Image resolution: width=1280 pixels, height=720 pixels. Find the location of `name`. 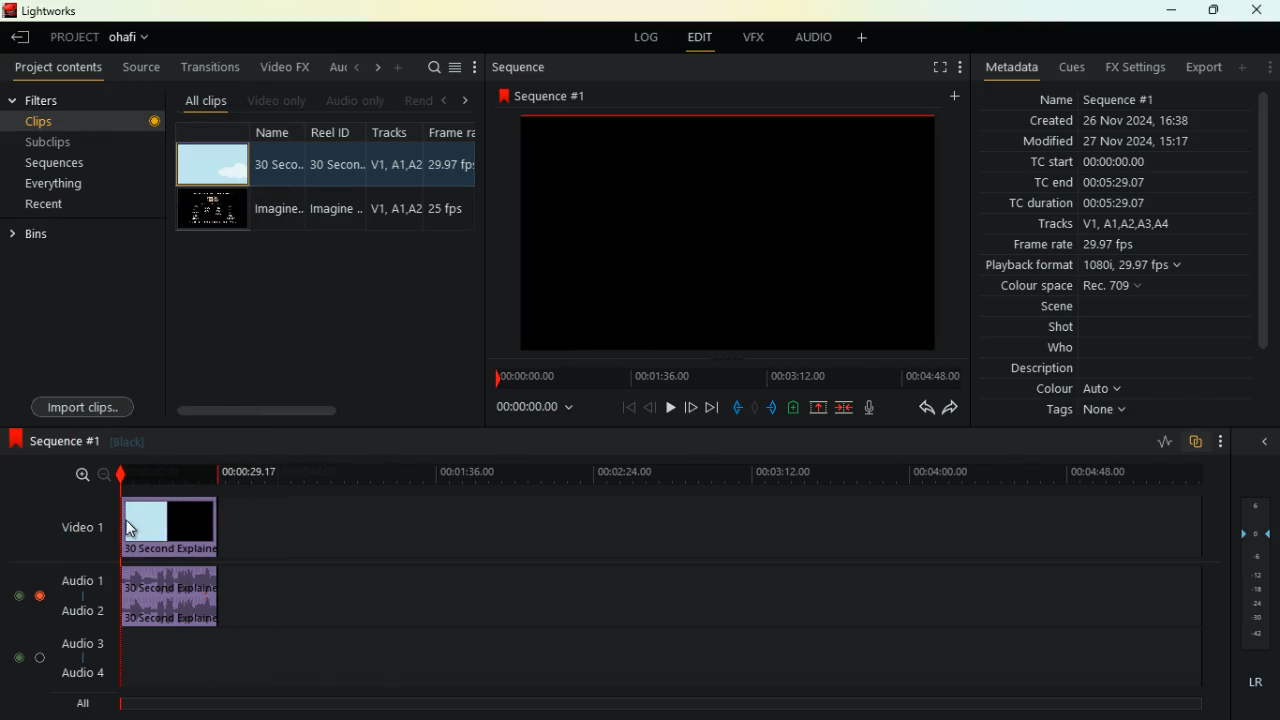

name is located at coordinates (1092, 99).